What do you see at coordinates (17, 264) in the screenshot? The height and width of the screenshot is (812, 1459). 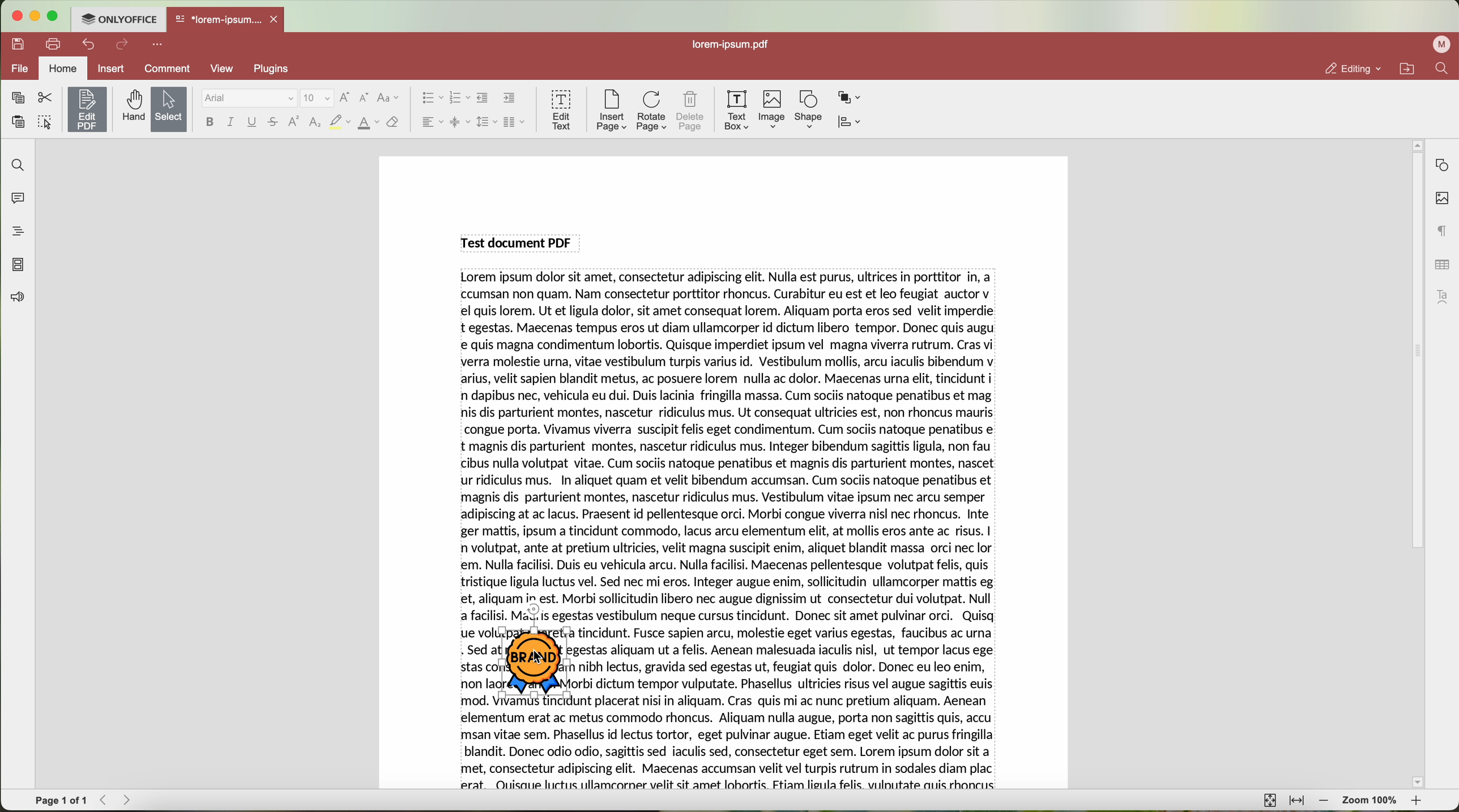 I see `page thumbnails` at bounding box center [17, 264].